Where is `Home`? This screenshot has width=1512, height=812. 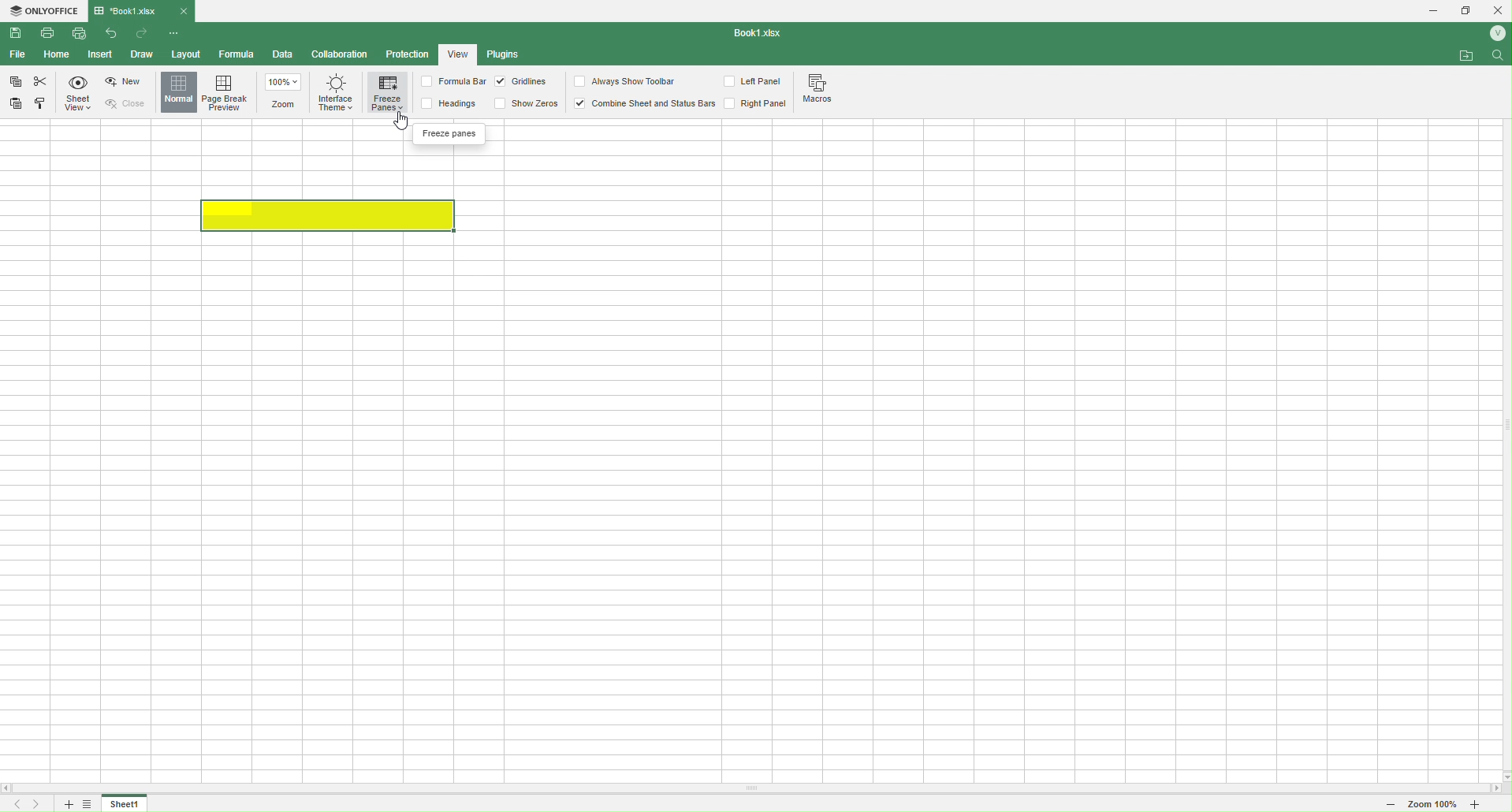 Home is located at coordinates (58, 55).